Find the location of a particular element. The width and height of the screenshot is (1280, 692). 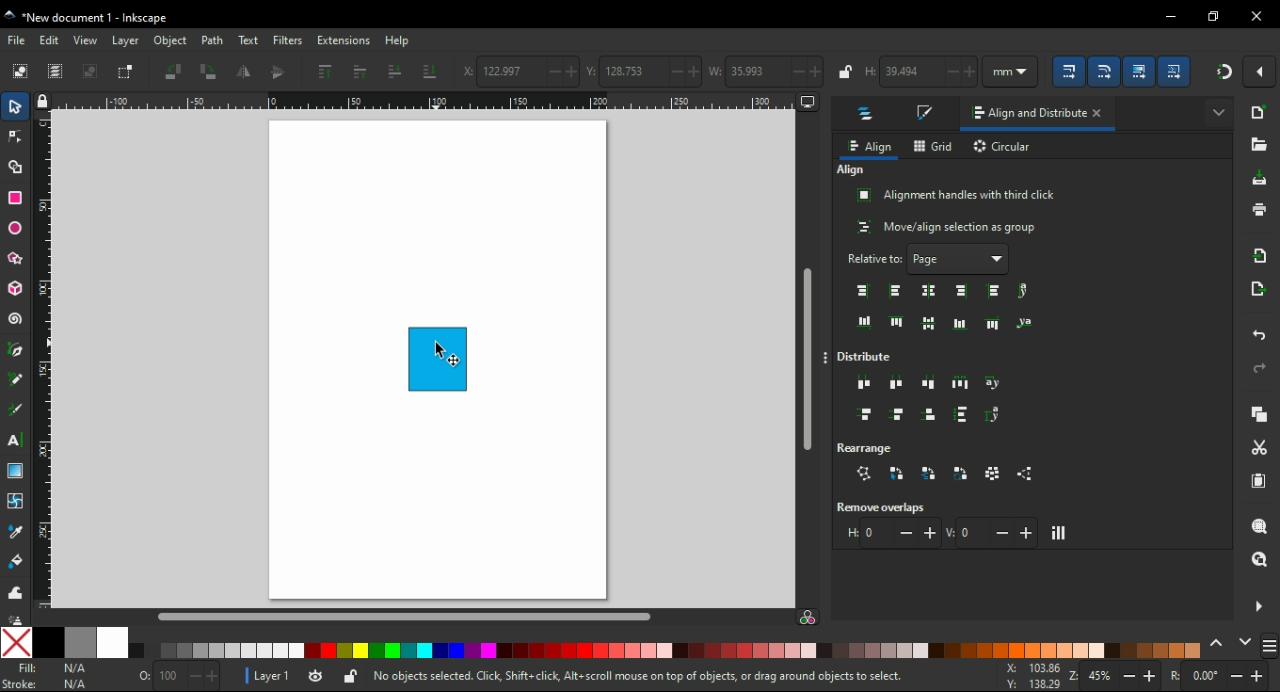

spiral tool is located at coordinates (18, 321).